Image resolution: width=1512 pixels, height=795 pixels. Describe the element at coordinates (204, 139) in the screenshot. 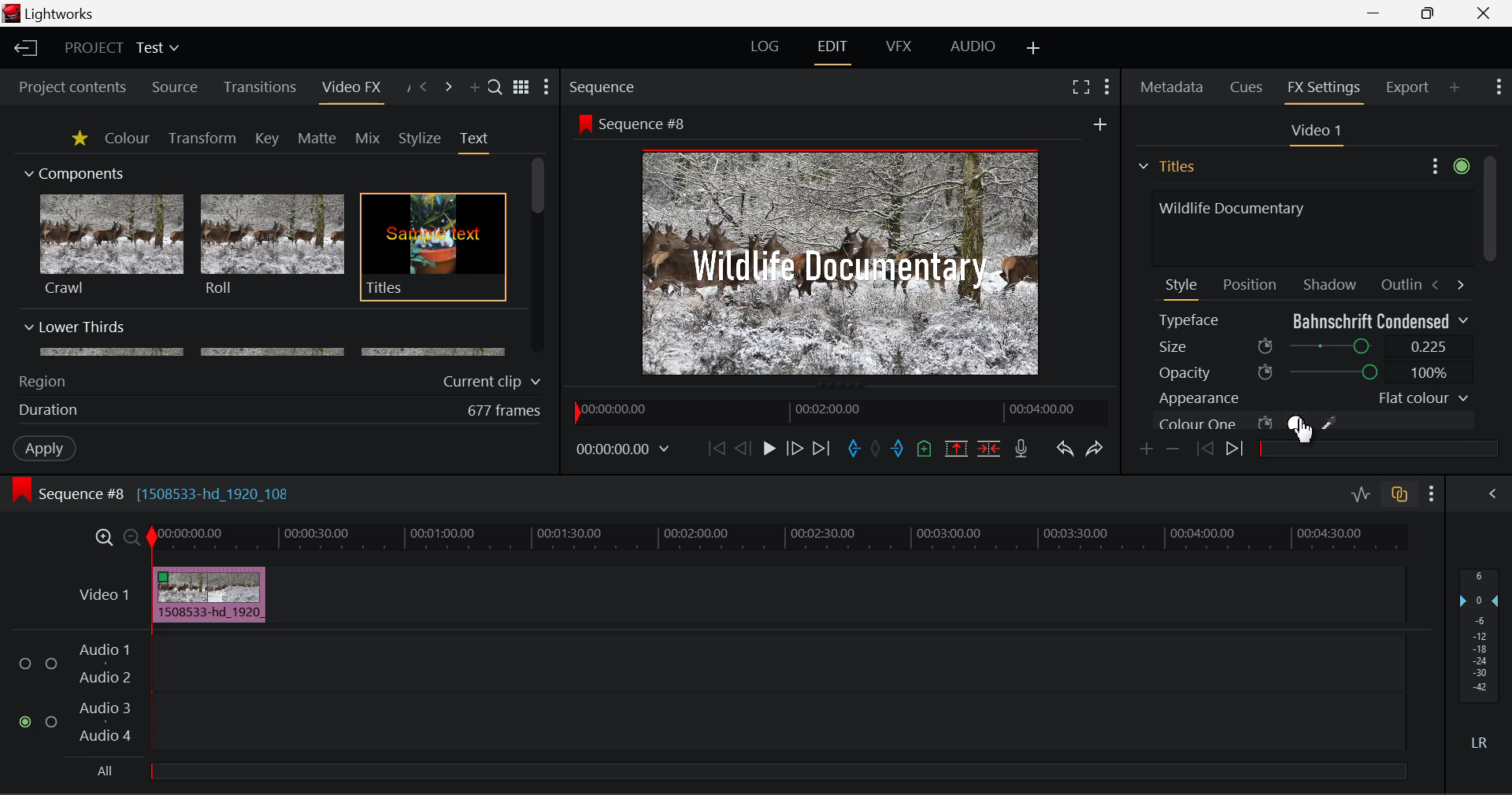

I see `Transform` at that location.